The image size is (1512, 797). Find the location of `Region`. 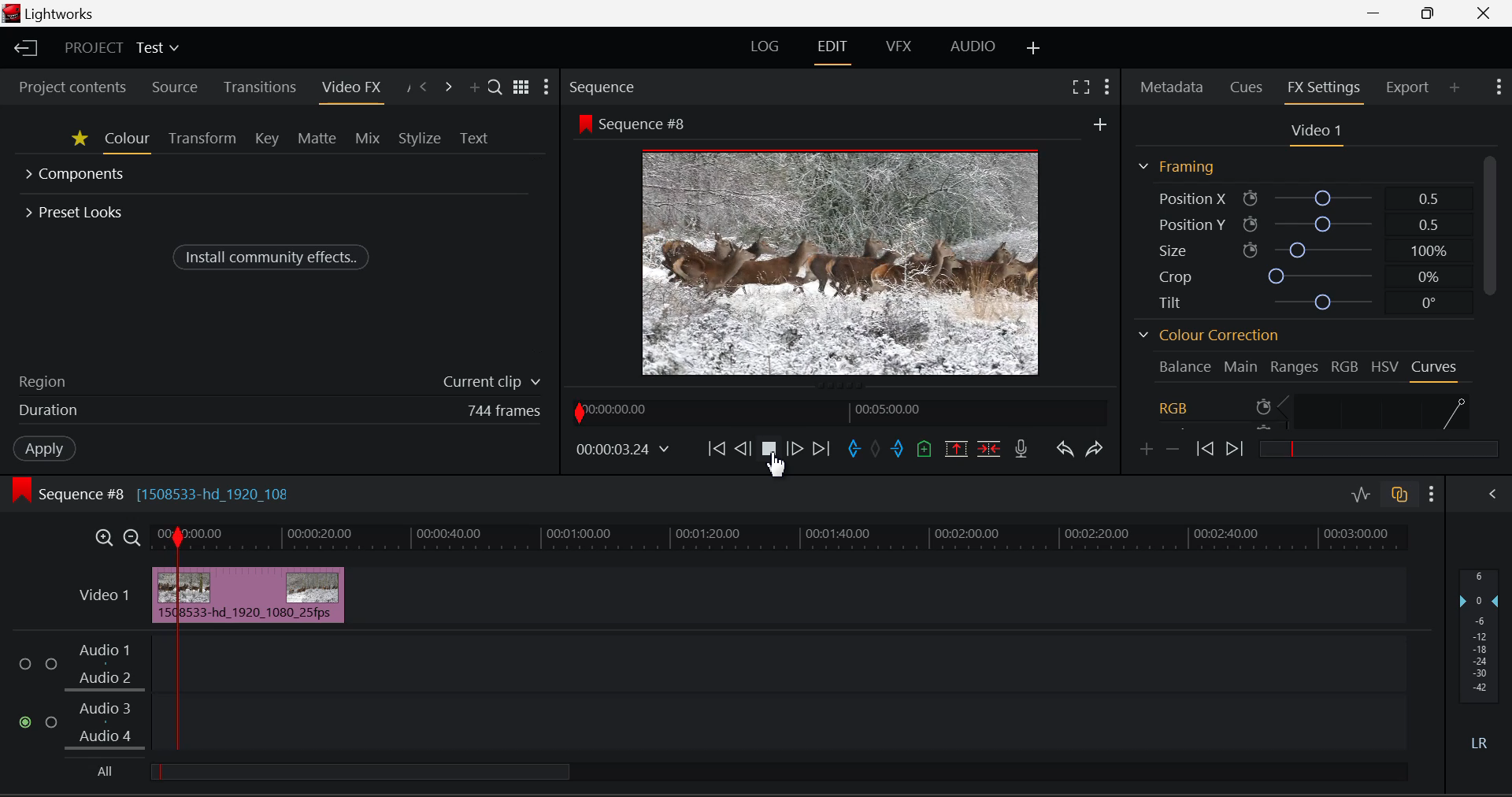

Region is located at coordinates (278, 380).